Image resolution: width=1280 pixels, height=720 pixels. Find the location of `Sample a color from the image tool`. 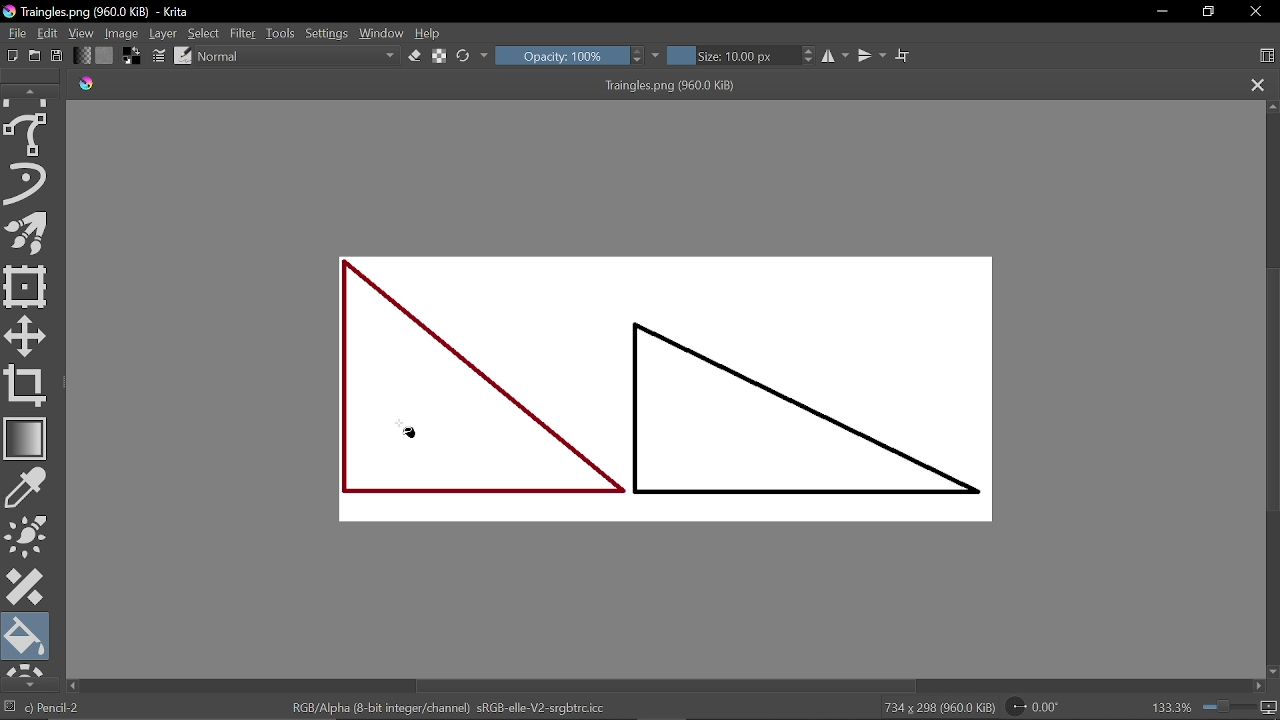

Sample a color from the image tool is located at coordinates (28, 488).